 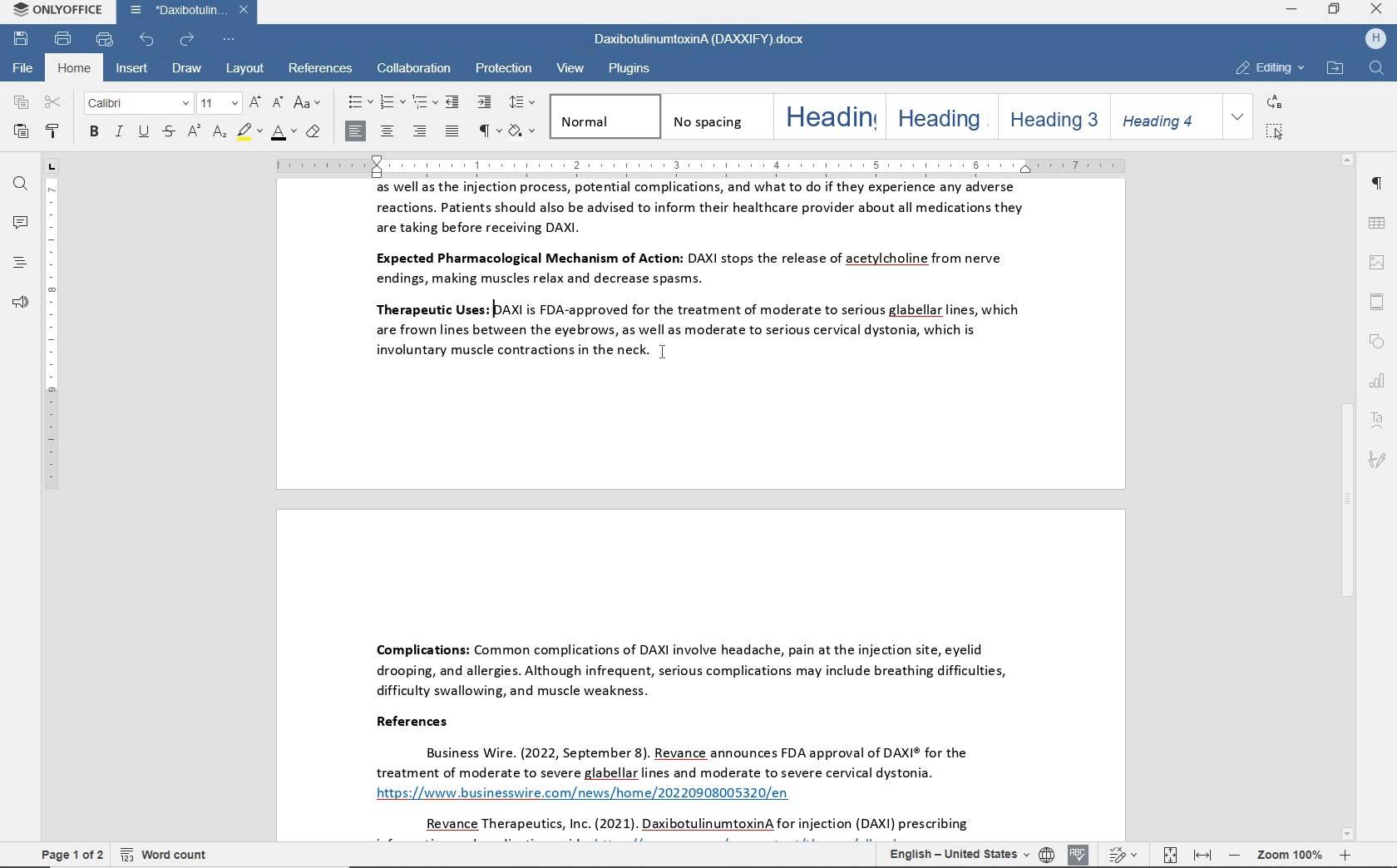 I want to click on table, so click(x=1375, y=224).